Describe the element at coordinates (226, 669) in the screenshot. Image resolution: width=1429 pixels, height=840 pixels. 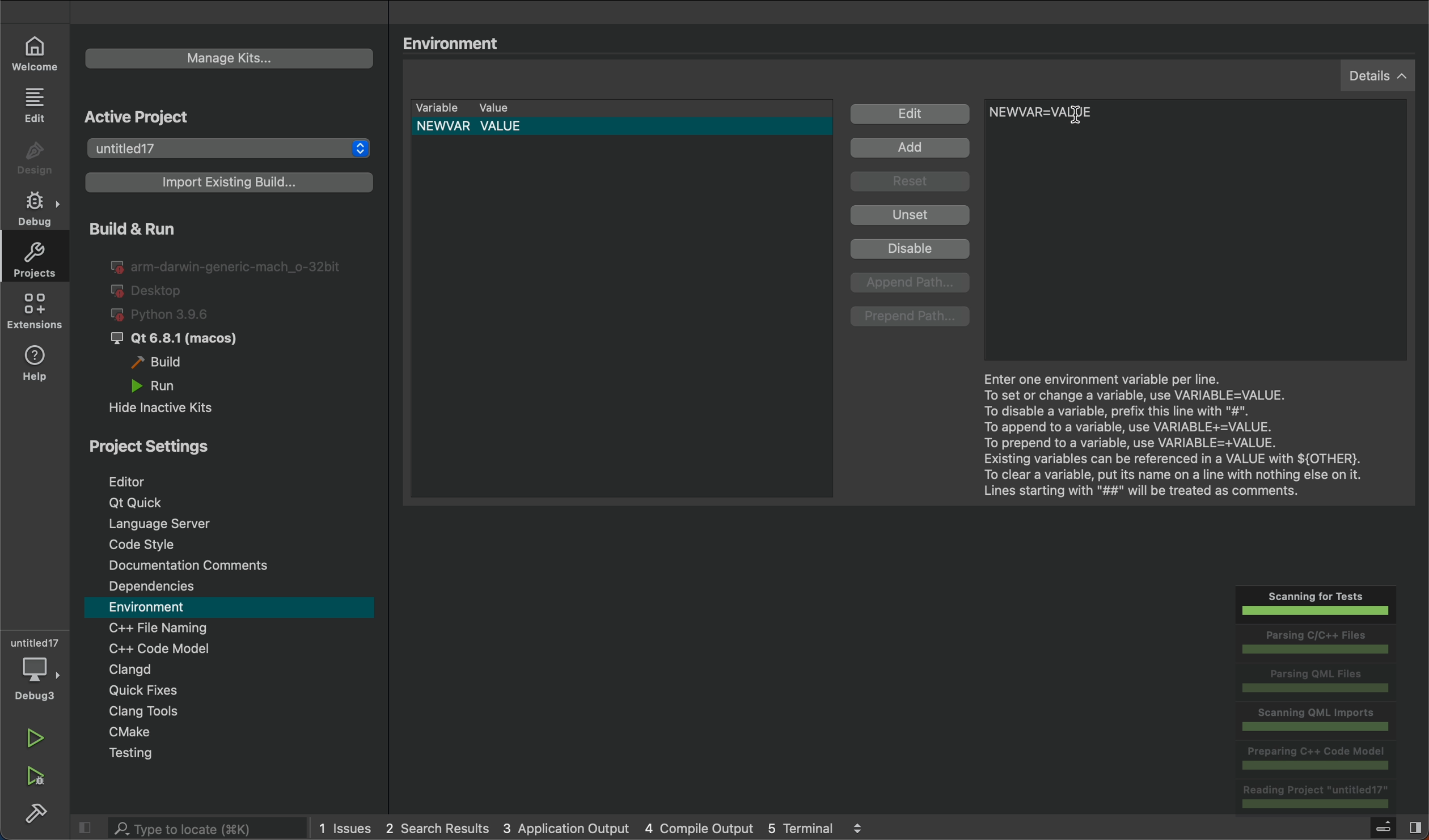
I see `Clangd` at that location.